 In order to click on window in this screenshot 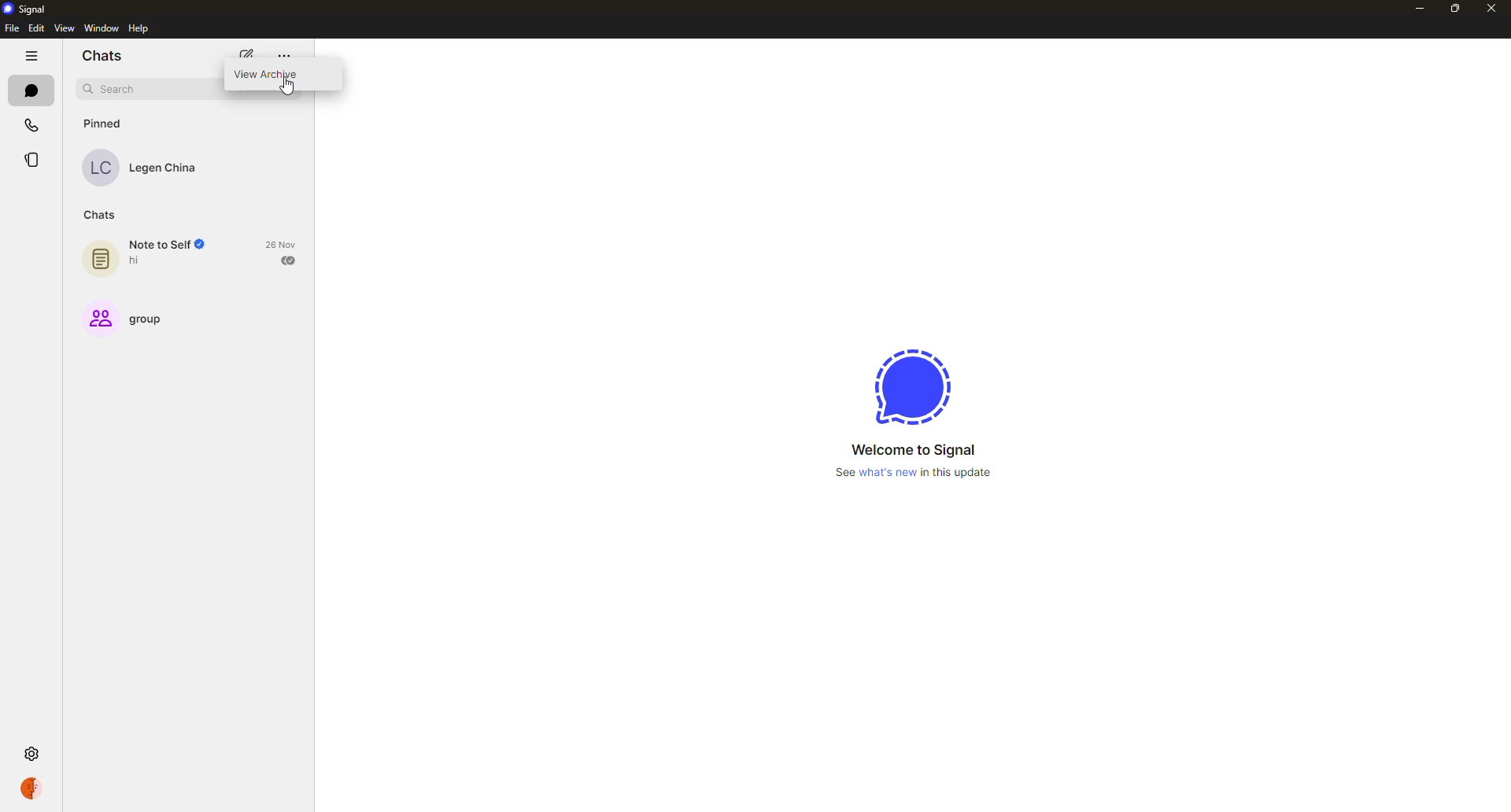, I will do `click(102, 28)`.